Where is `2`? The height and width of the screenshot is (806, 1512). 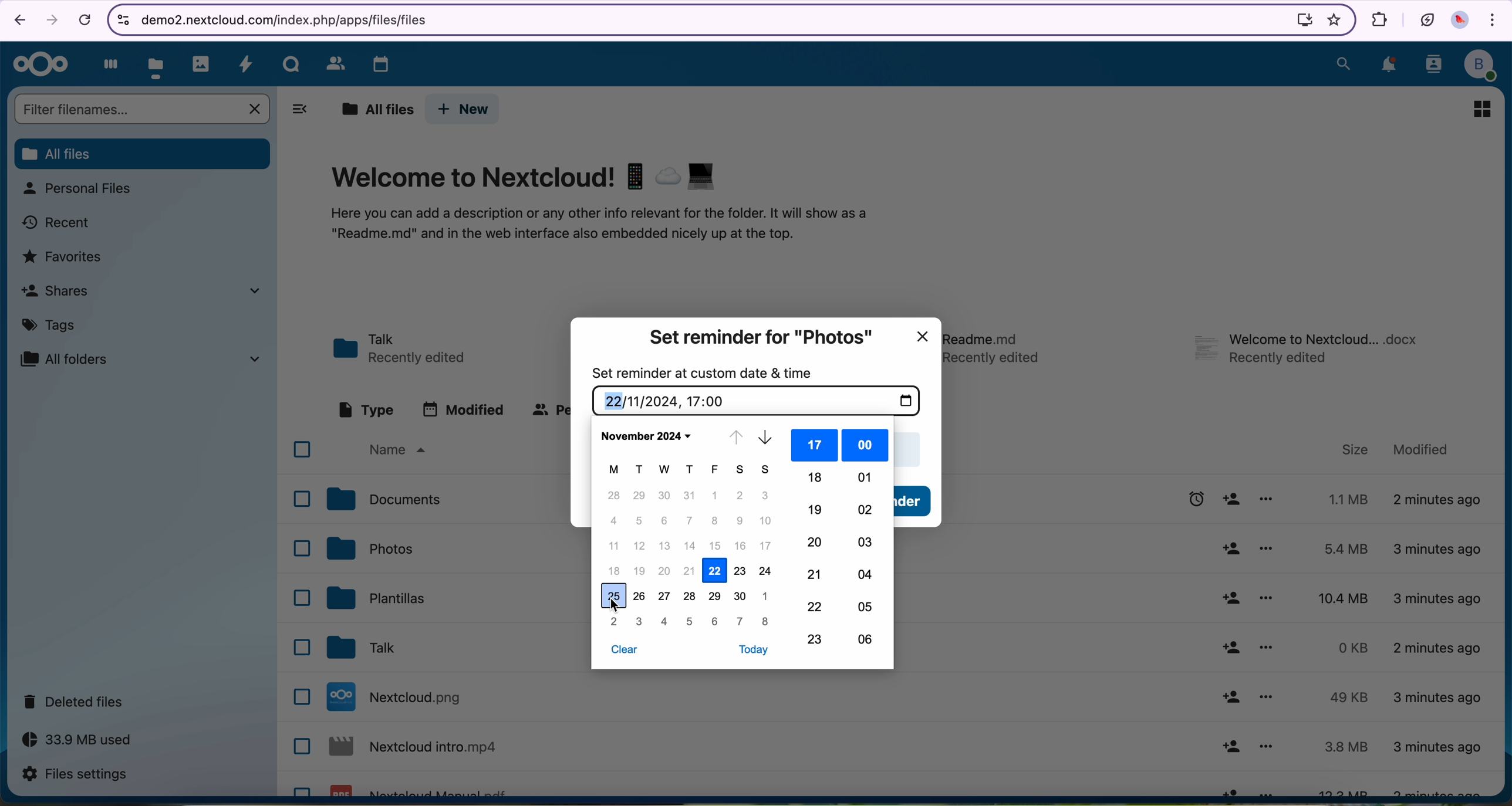 2 is located at coordinates (742, 496).